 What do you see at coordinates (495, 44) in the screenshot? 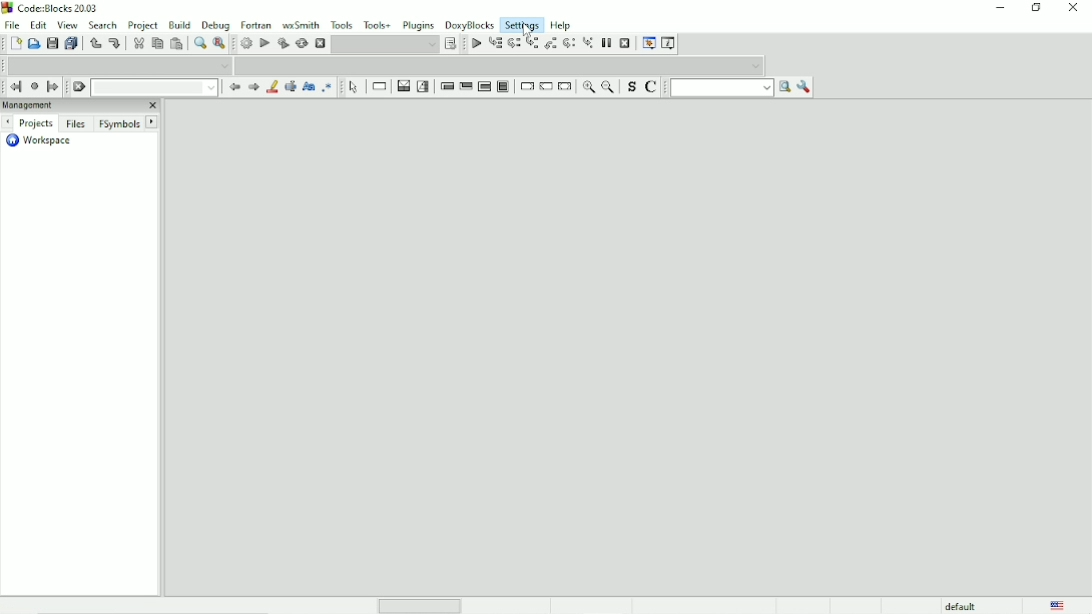
I see `Run to cursor` at bounding box center [495, 44].